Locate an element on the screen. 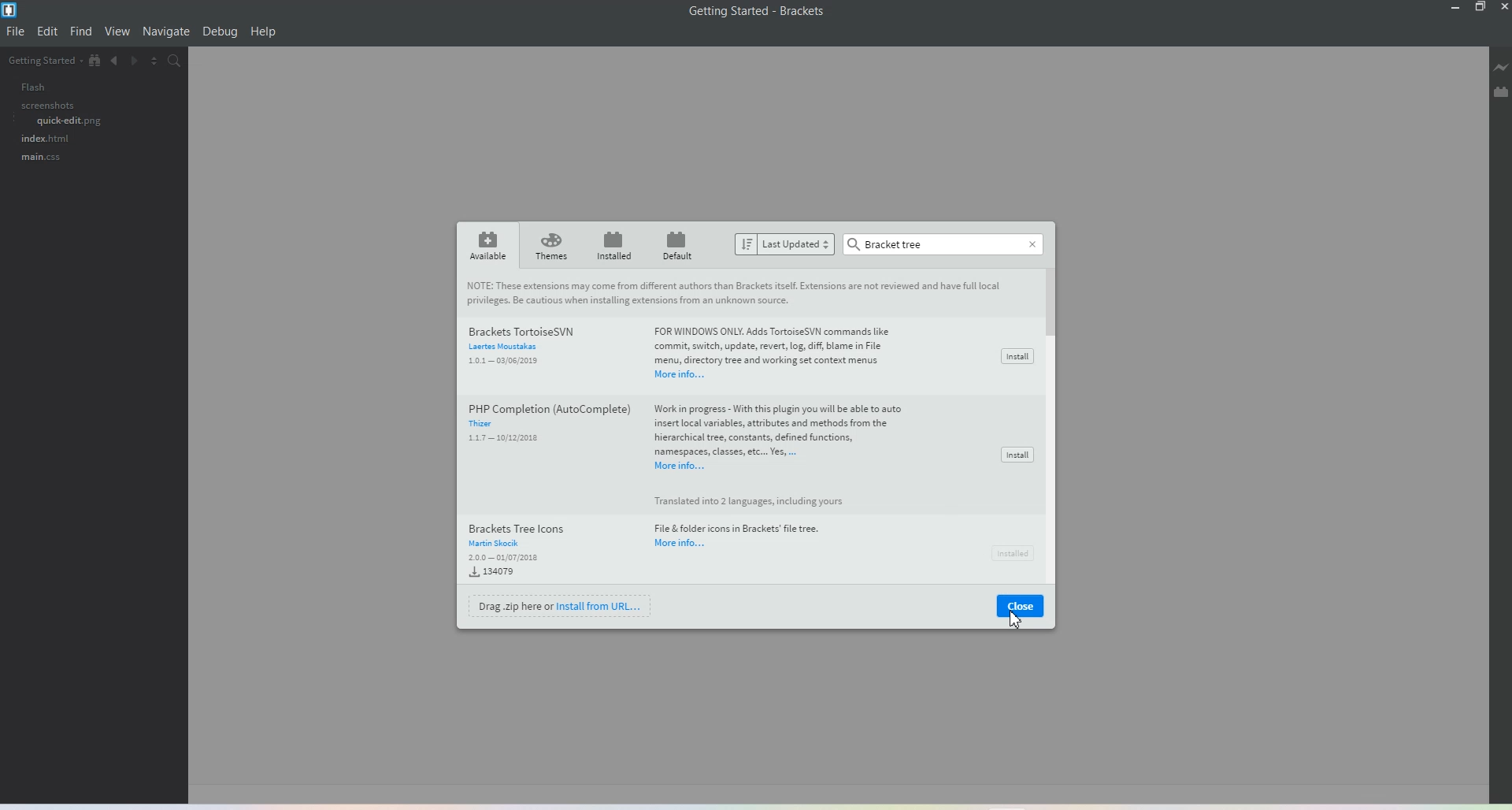  Find is located at coordinates (81, 32).